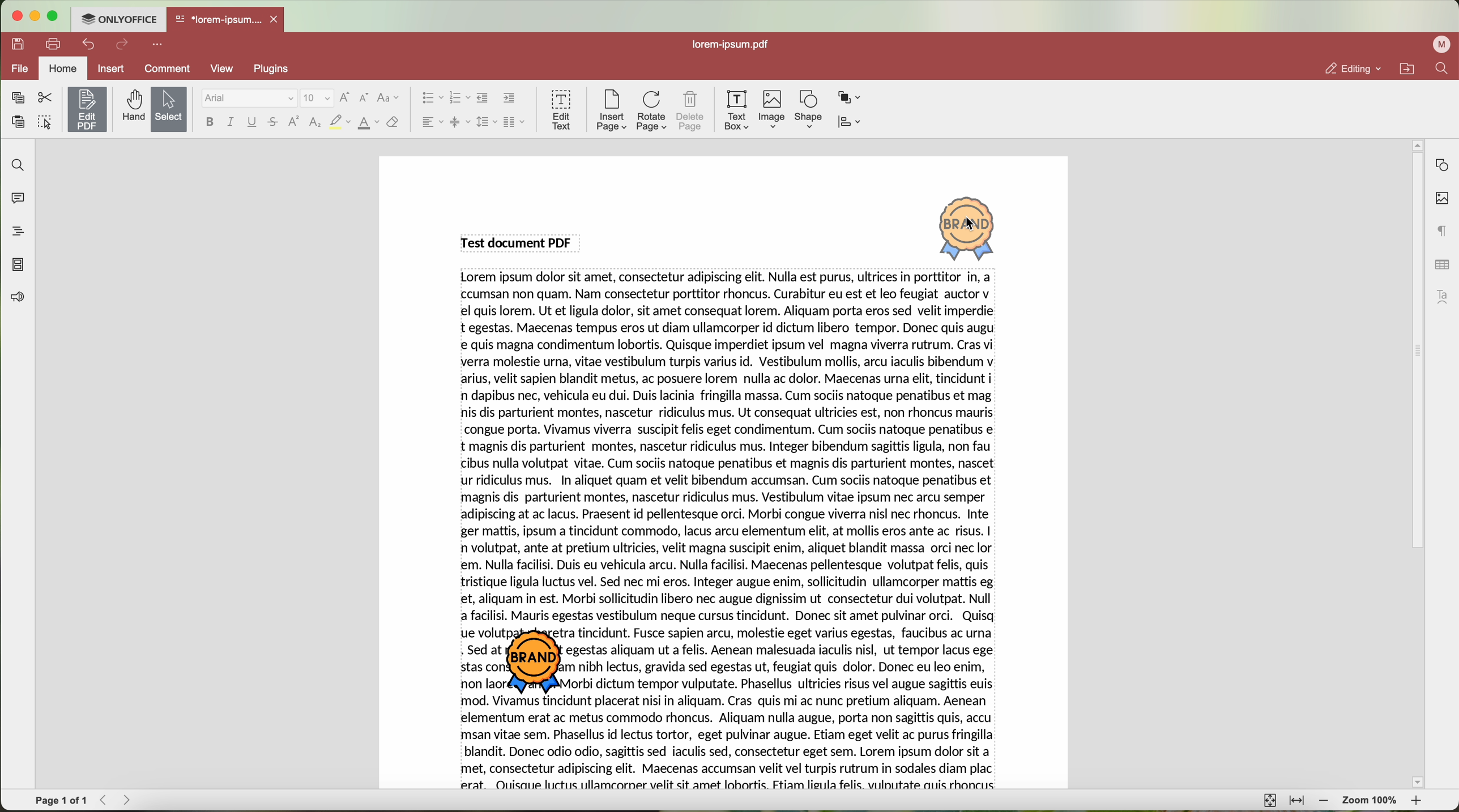 This screenshot has height=812, width=1459. I want to click on text box, so click(737, 110).